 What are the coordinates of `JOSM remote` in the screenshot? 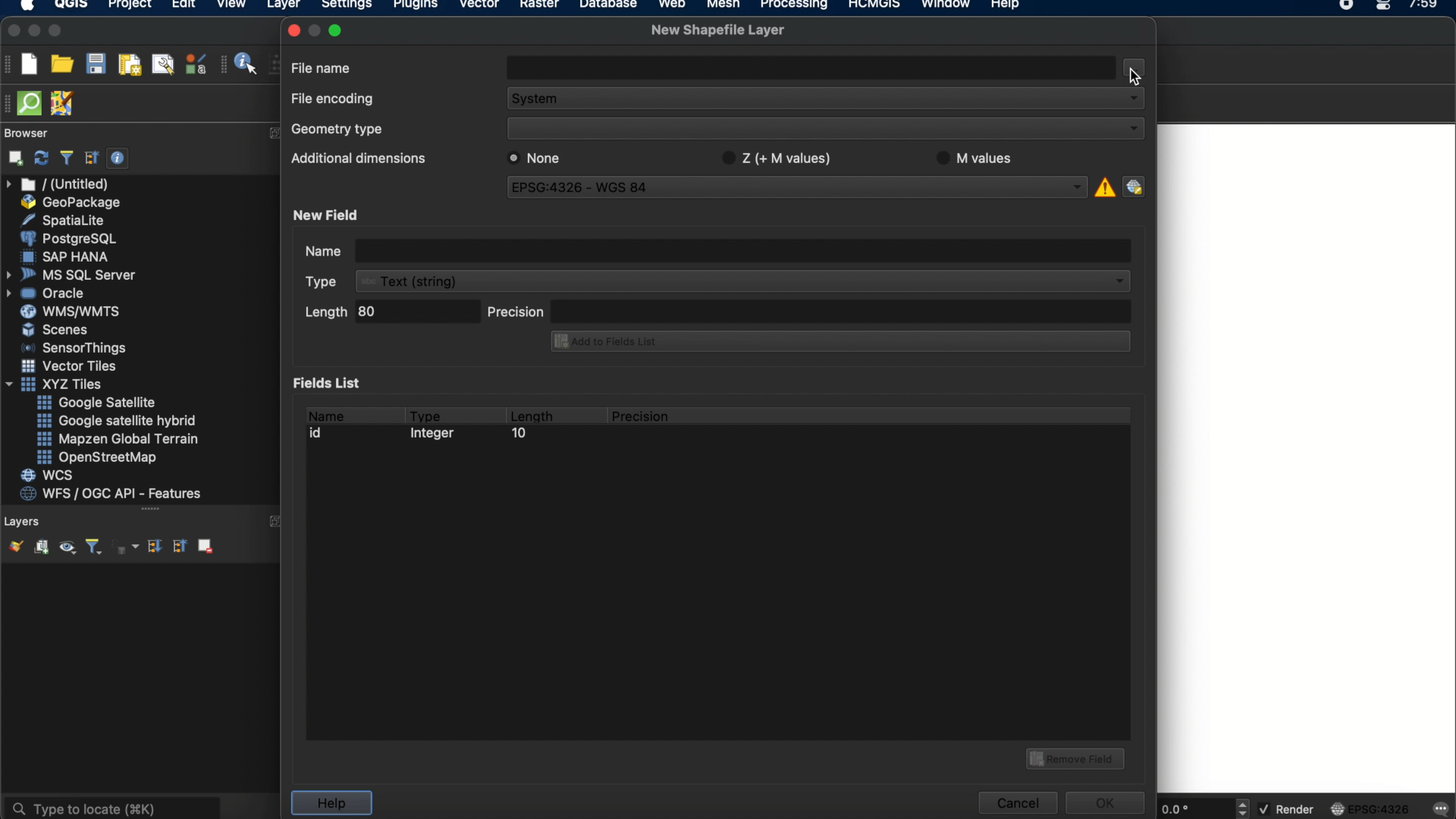 It's located at (64, 104).